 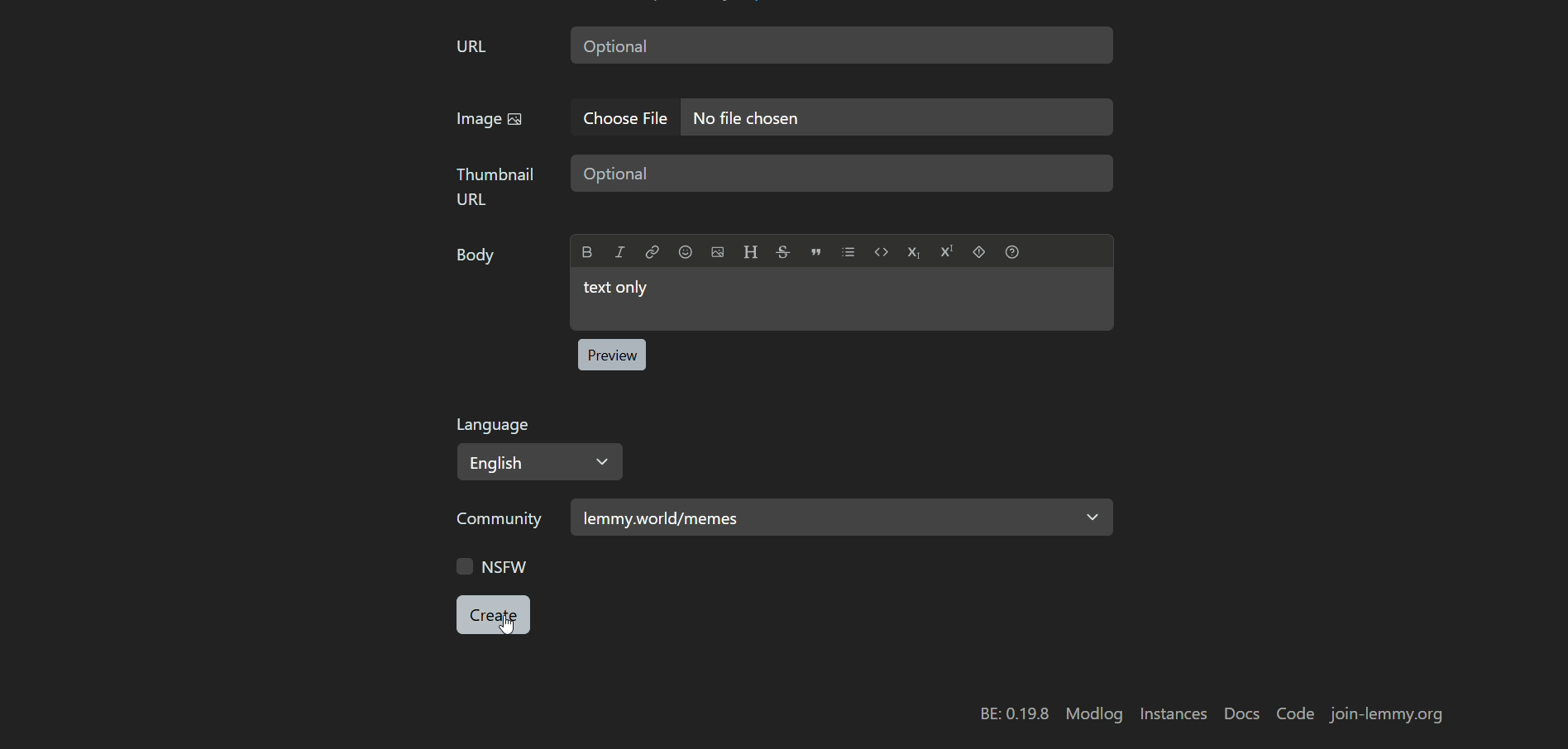 What do you see at coordinates (913, 252) in the screenshot?
I see `Subscript` at bounding box center [913, 252].